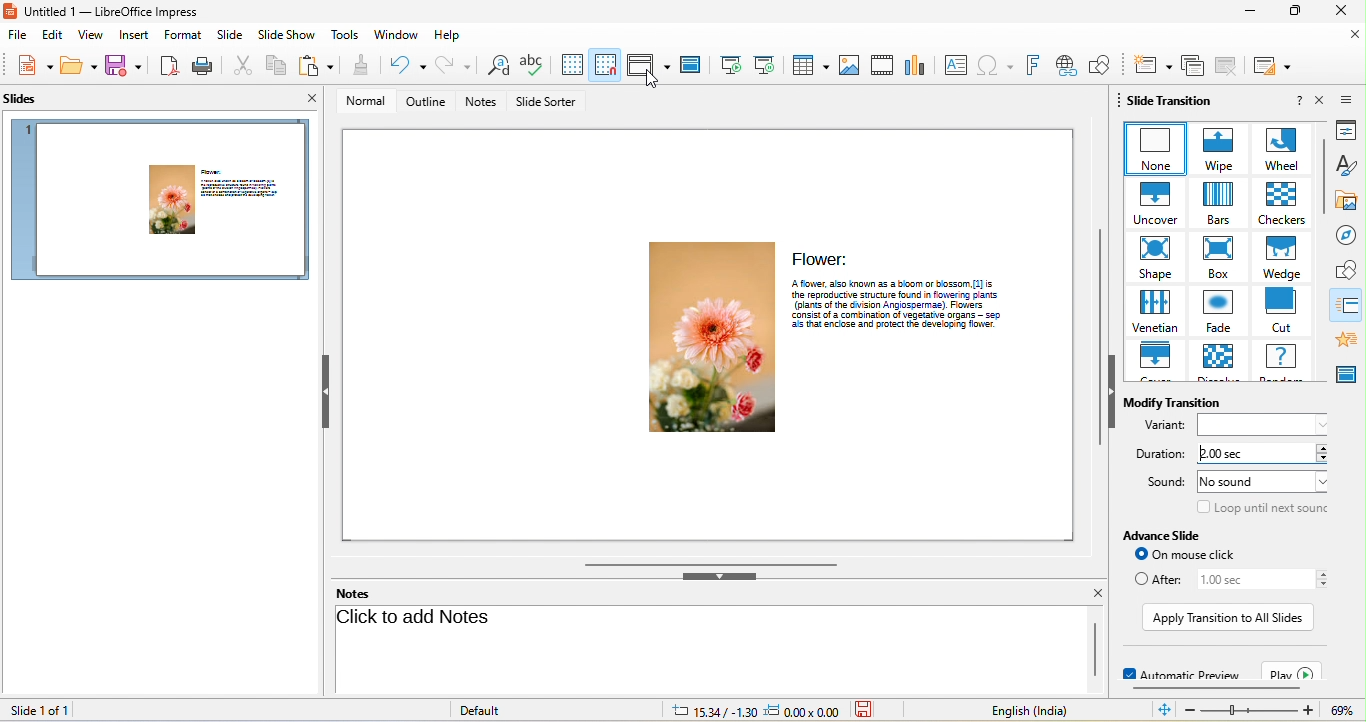 This screenshot has height=722, width=1366. Describe the element at coordinates (1324, 175) in the screenshot. I see `vertical scroll bar` at that location.